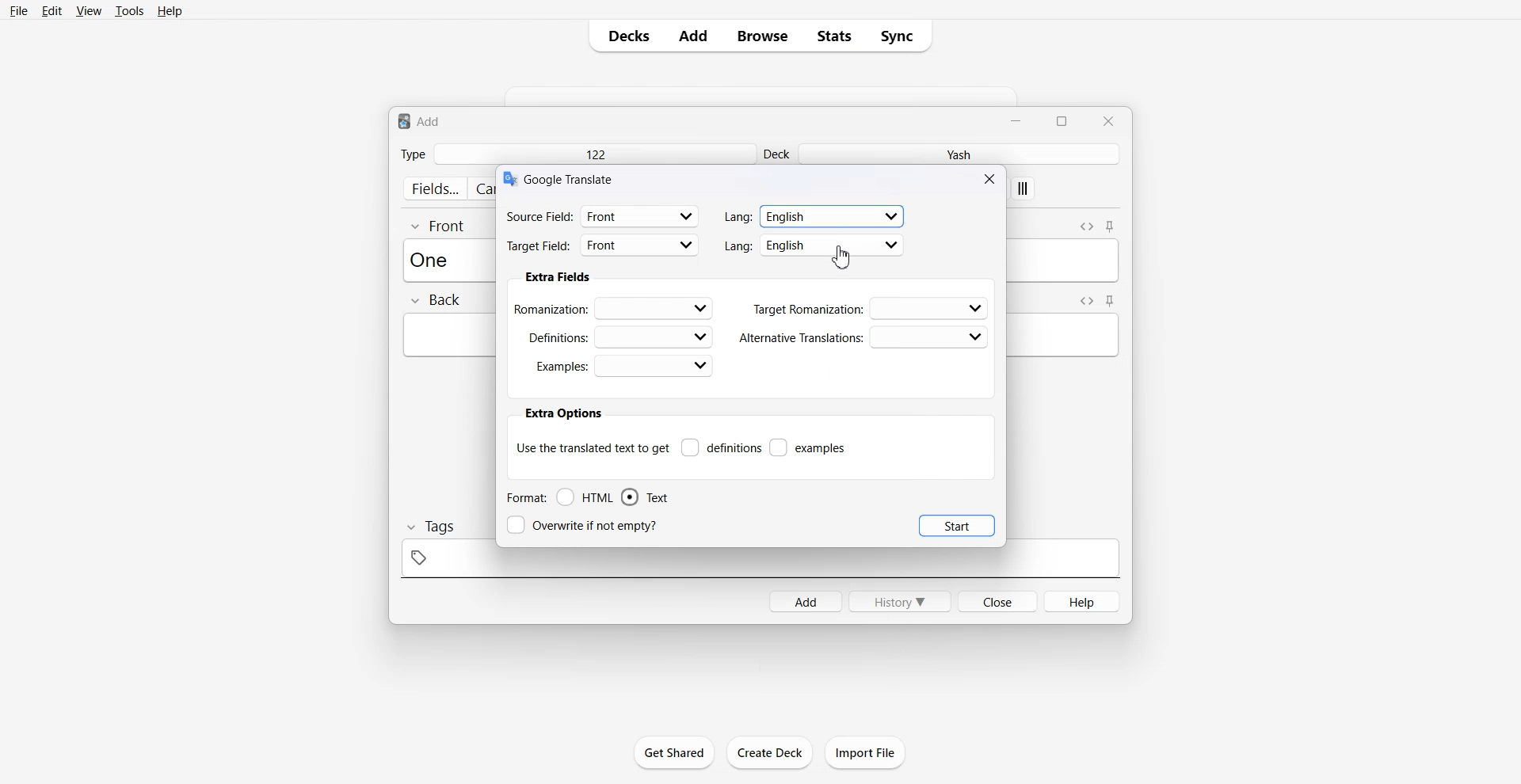 Image resolution: width=1521 pixels, height=784 pixels. Describe the element at coordinates (1107, 120) in the screenshot. I see `Close` at that location.